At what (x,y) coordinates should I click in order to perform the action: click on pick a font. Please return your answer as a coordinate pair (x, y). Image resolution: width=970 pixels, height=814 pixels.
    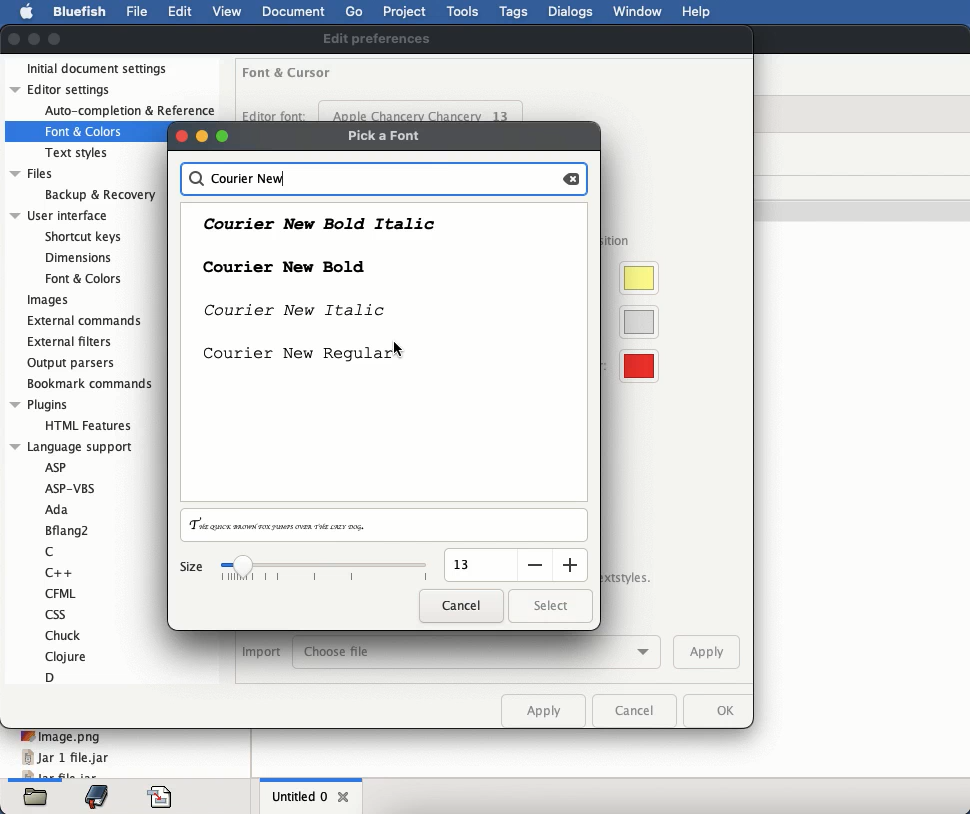
    Looking at the image, I should click on (386, 139).